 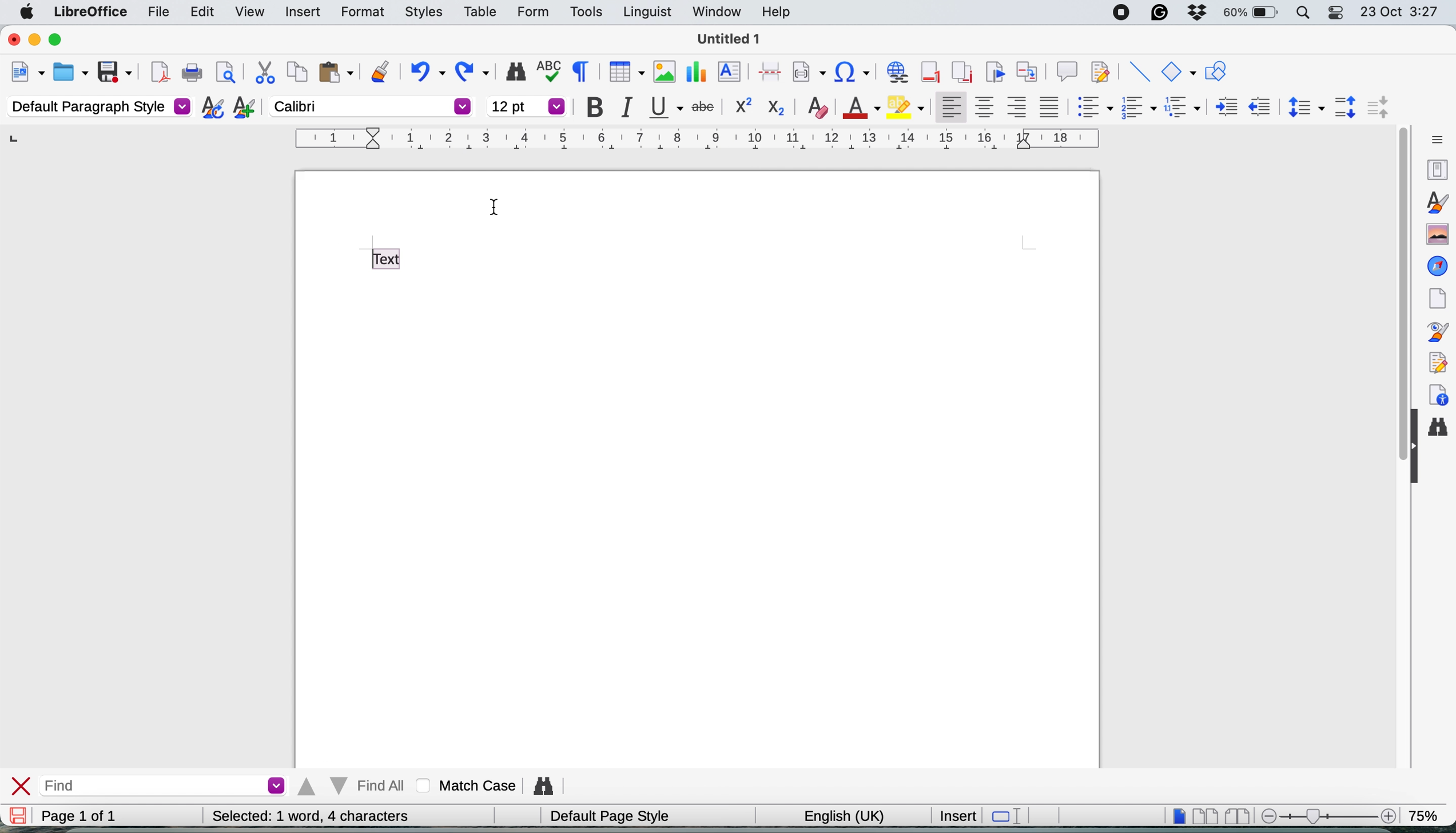 I want to click on dropbox, so click(x=1195, y=11).